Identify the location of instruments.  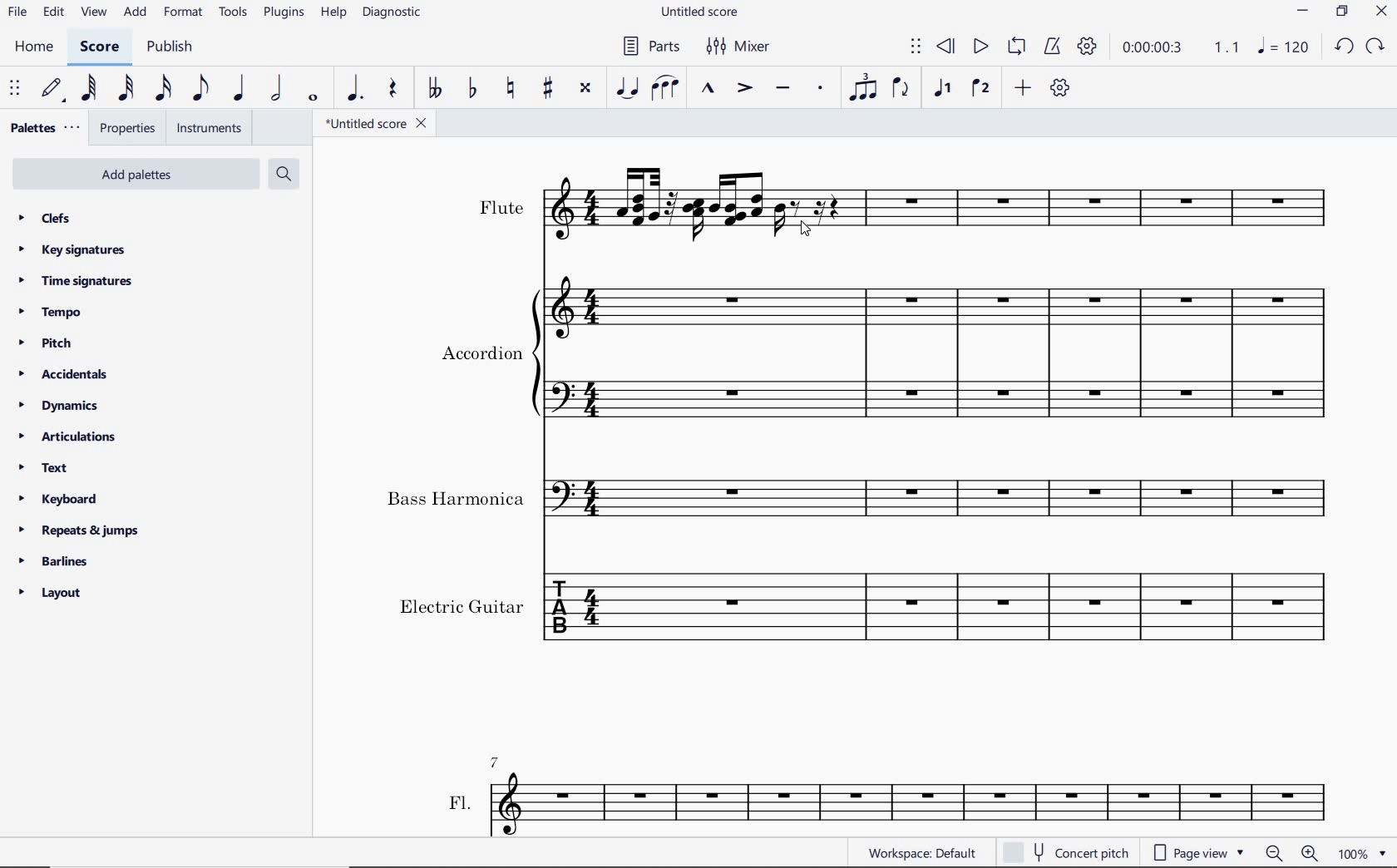
(210, 128).